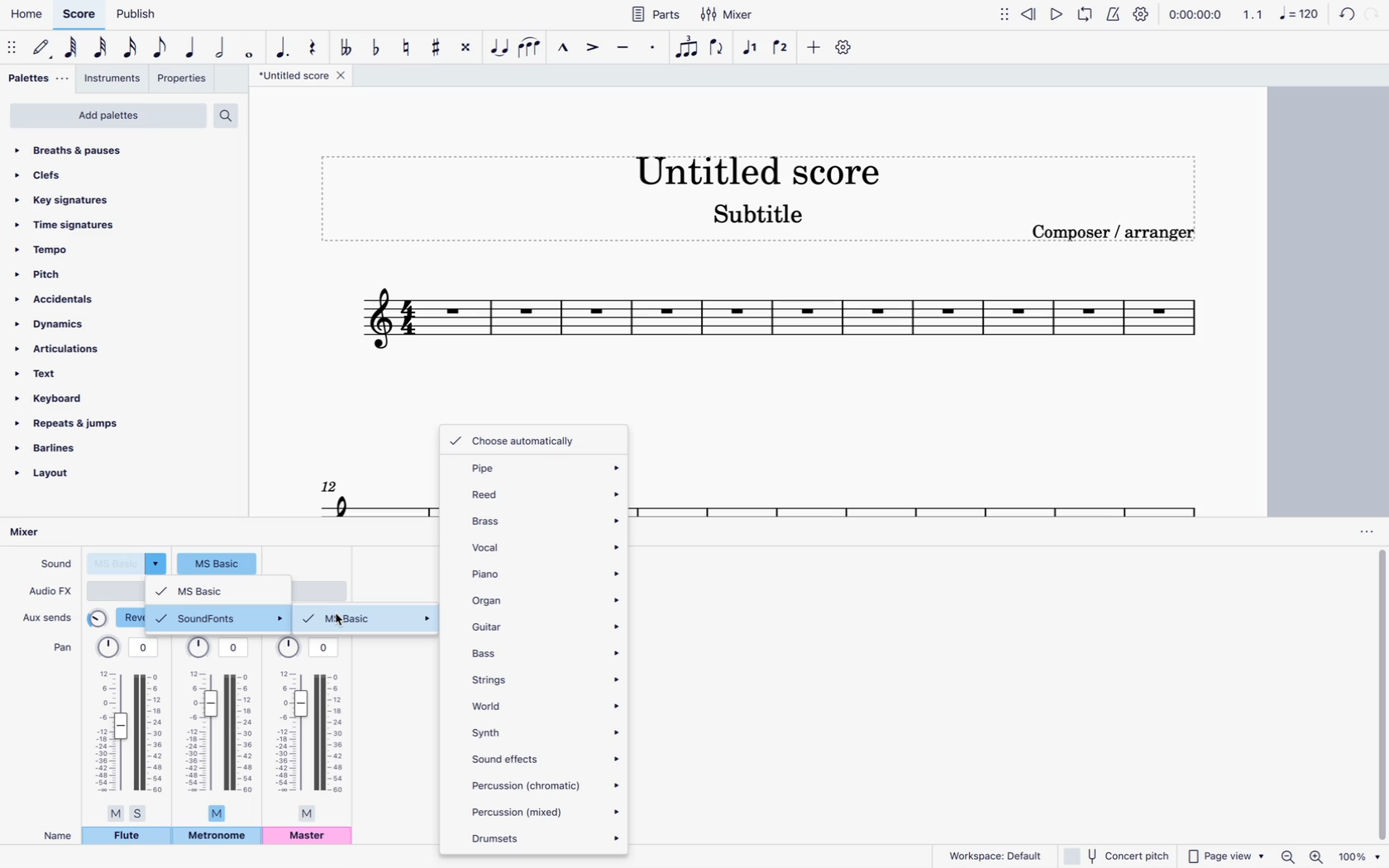 The image size is (1389, 868). I want to click on percussion (chromatic), so click(547, 782).